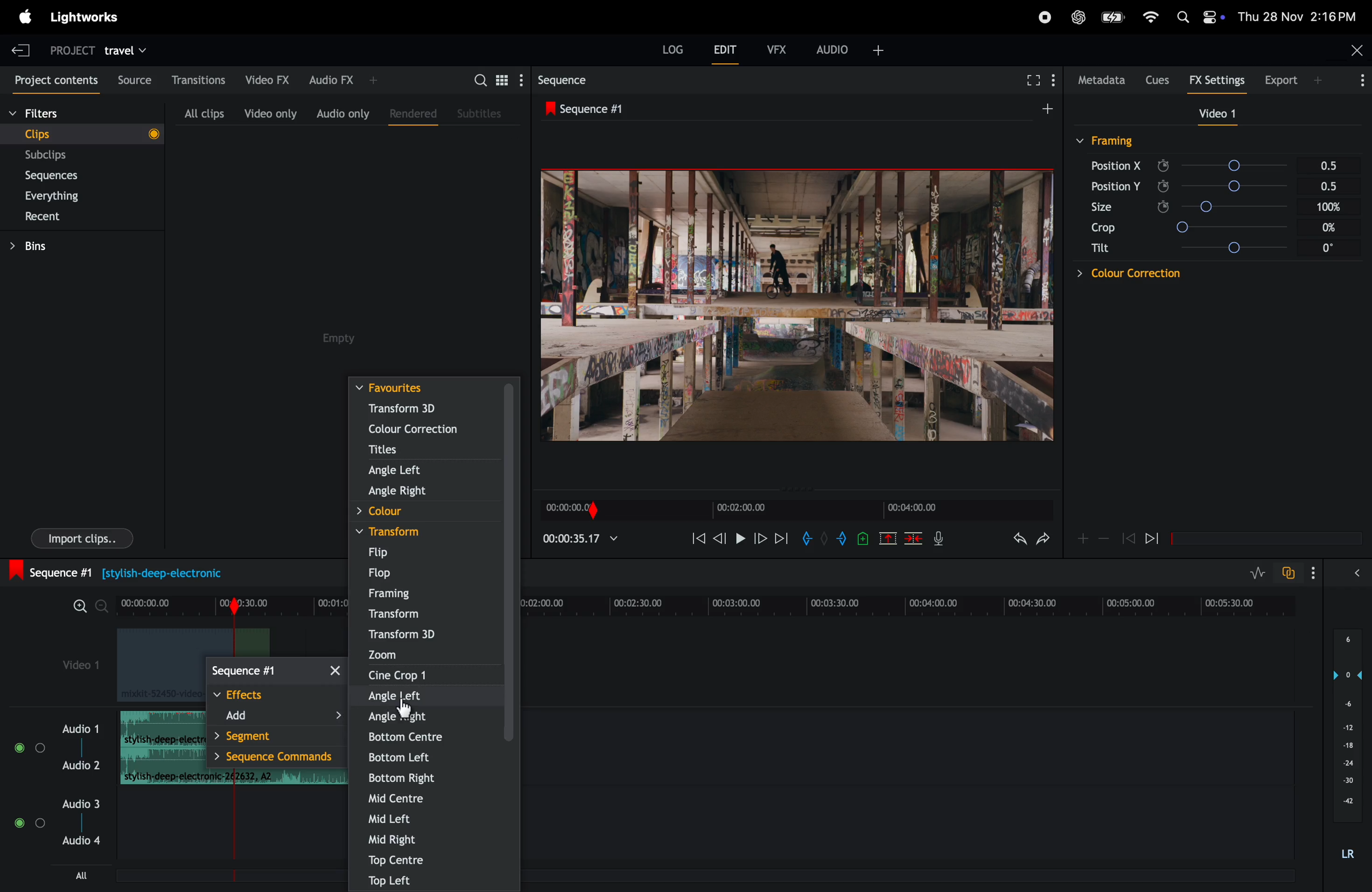  I want to click on fullscreen, so click(1032, 80).